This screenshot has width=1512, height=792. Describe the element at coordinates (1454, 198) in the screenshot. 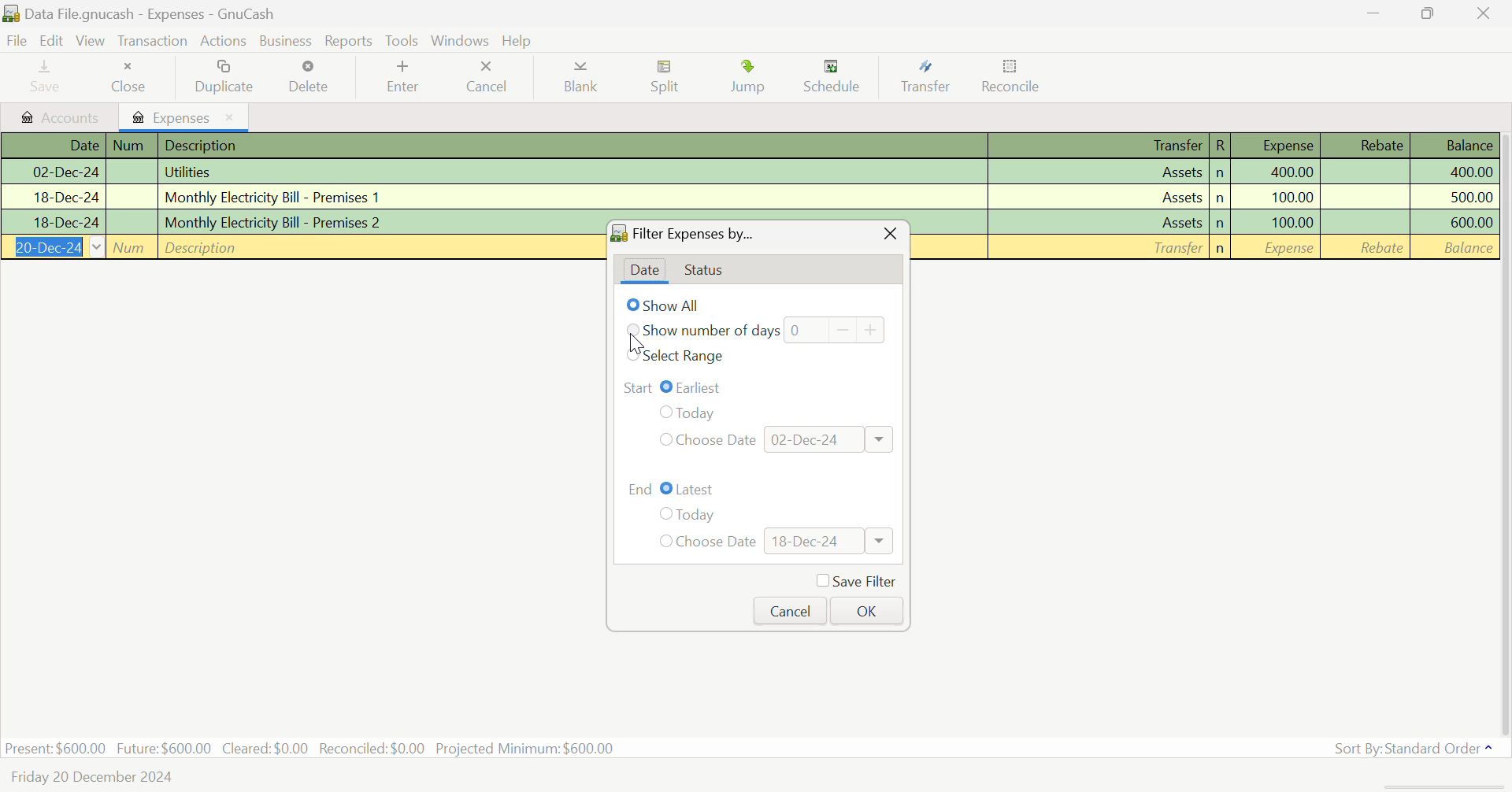

I see `Amount` at that location.